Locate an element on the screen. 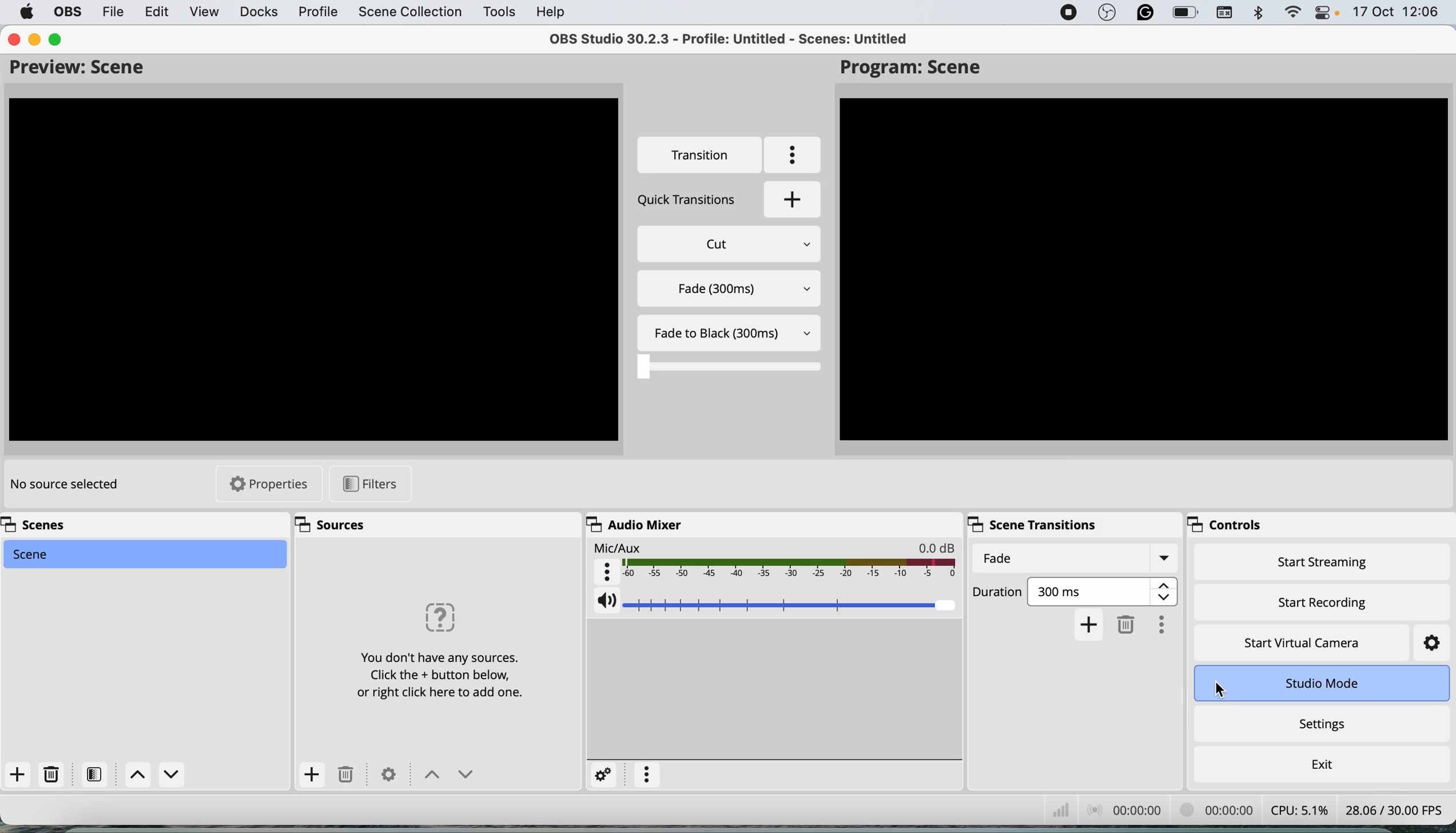 The image size is (1456, 833). scene collection is located at coordinates (410, 14).